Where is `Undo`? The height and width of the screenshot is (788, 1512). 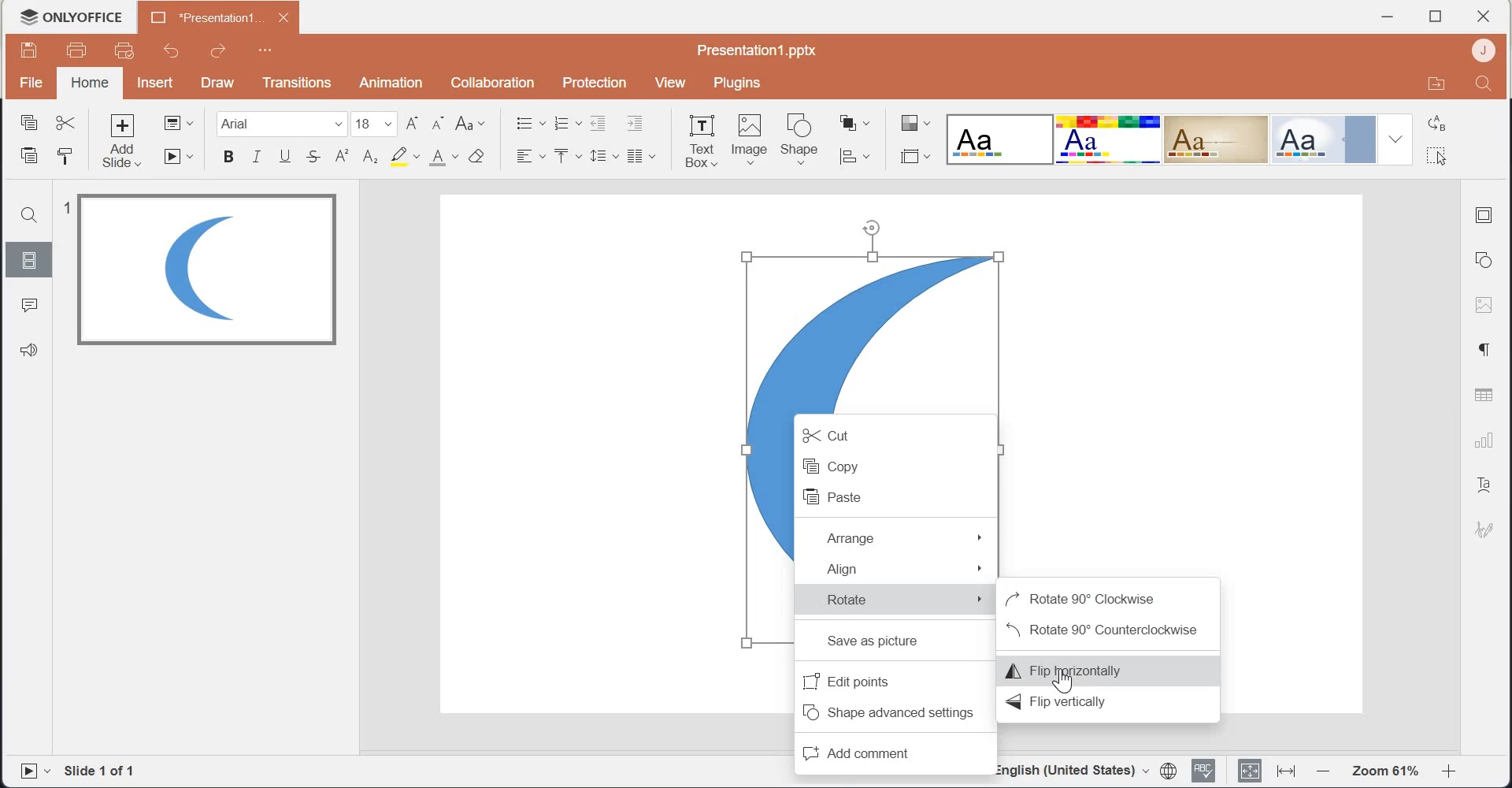 Undo is located at coordinates (170, 52).